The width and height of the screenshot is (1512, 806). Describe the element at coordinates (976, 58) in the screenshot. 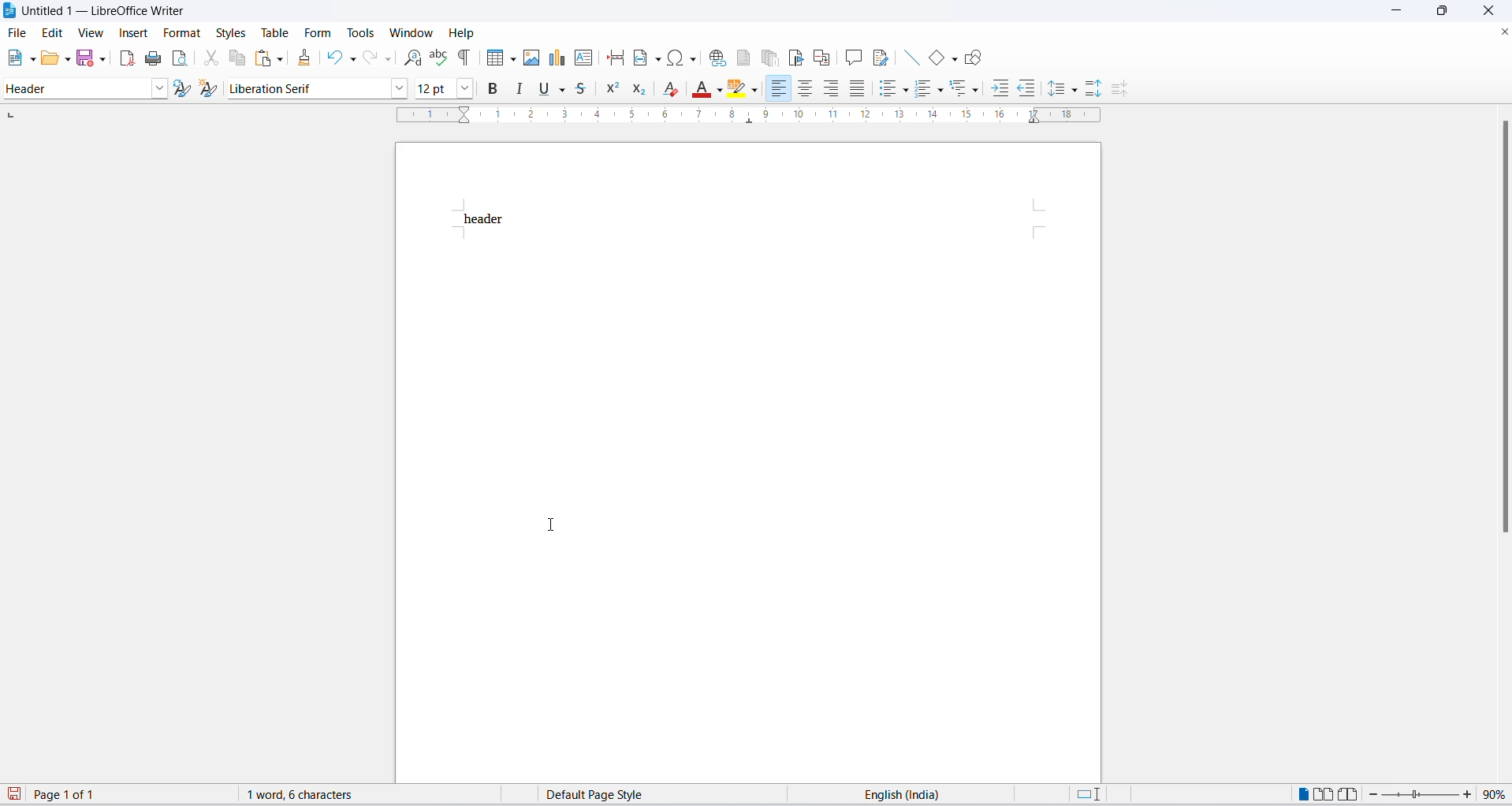

I see `draw shapes tool` at that location.